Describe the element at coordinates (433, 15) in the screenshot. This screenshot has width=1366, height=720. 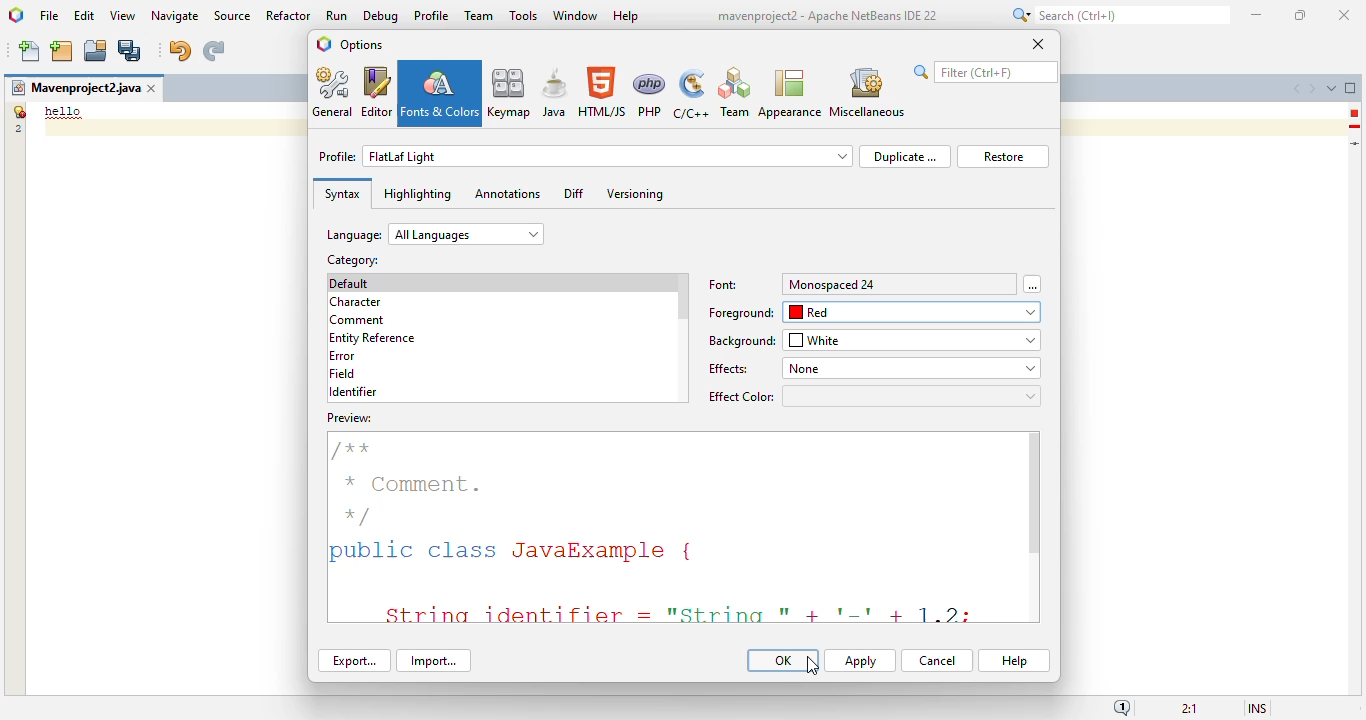
I see `profile` at that location.